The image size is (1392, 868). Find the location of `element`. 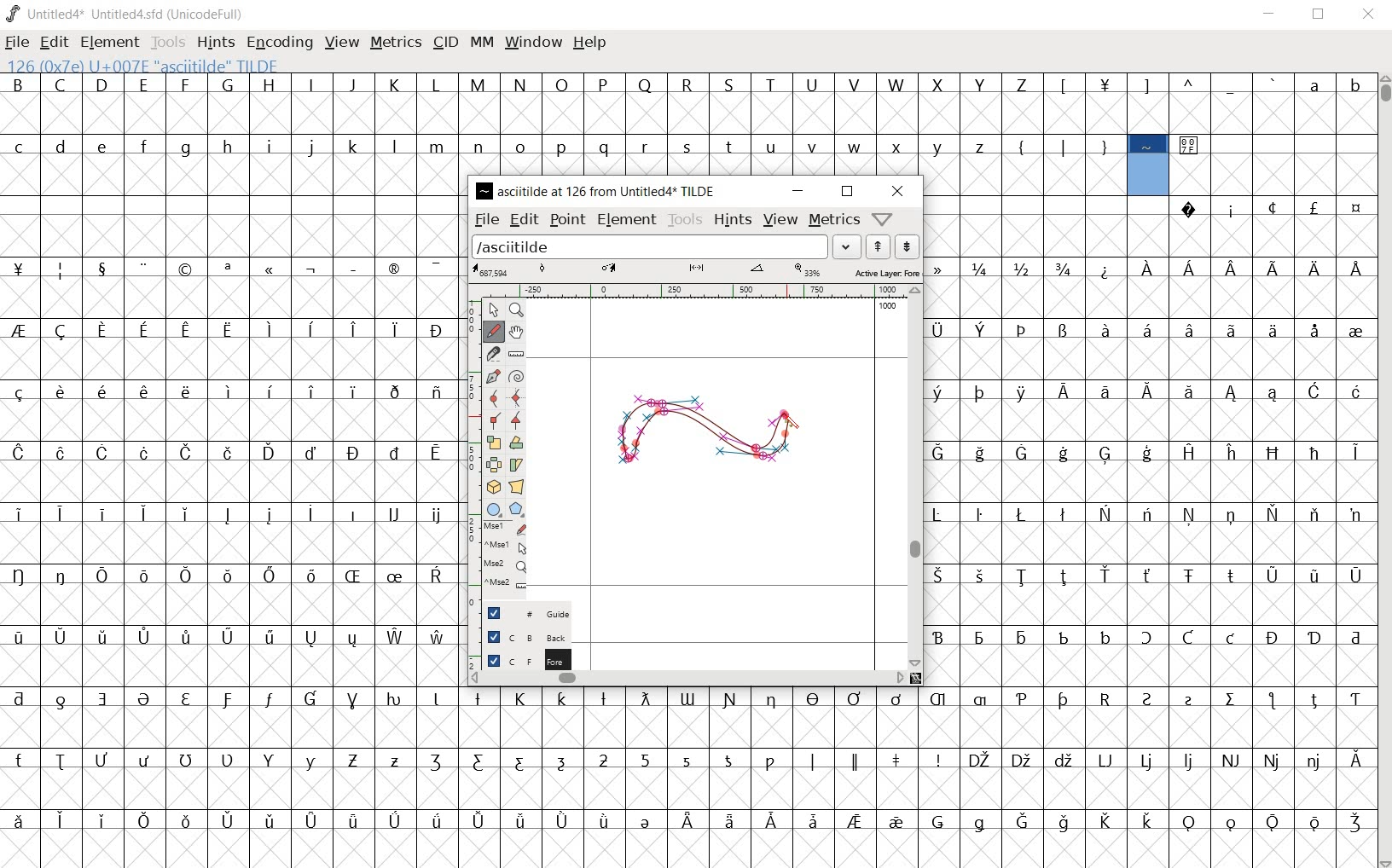

element is located at coordinates (628, 219).